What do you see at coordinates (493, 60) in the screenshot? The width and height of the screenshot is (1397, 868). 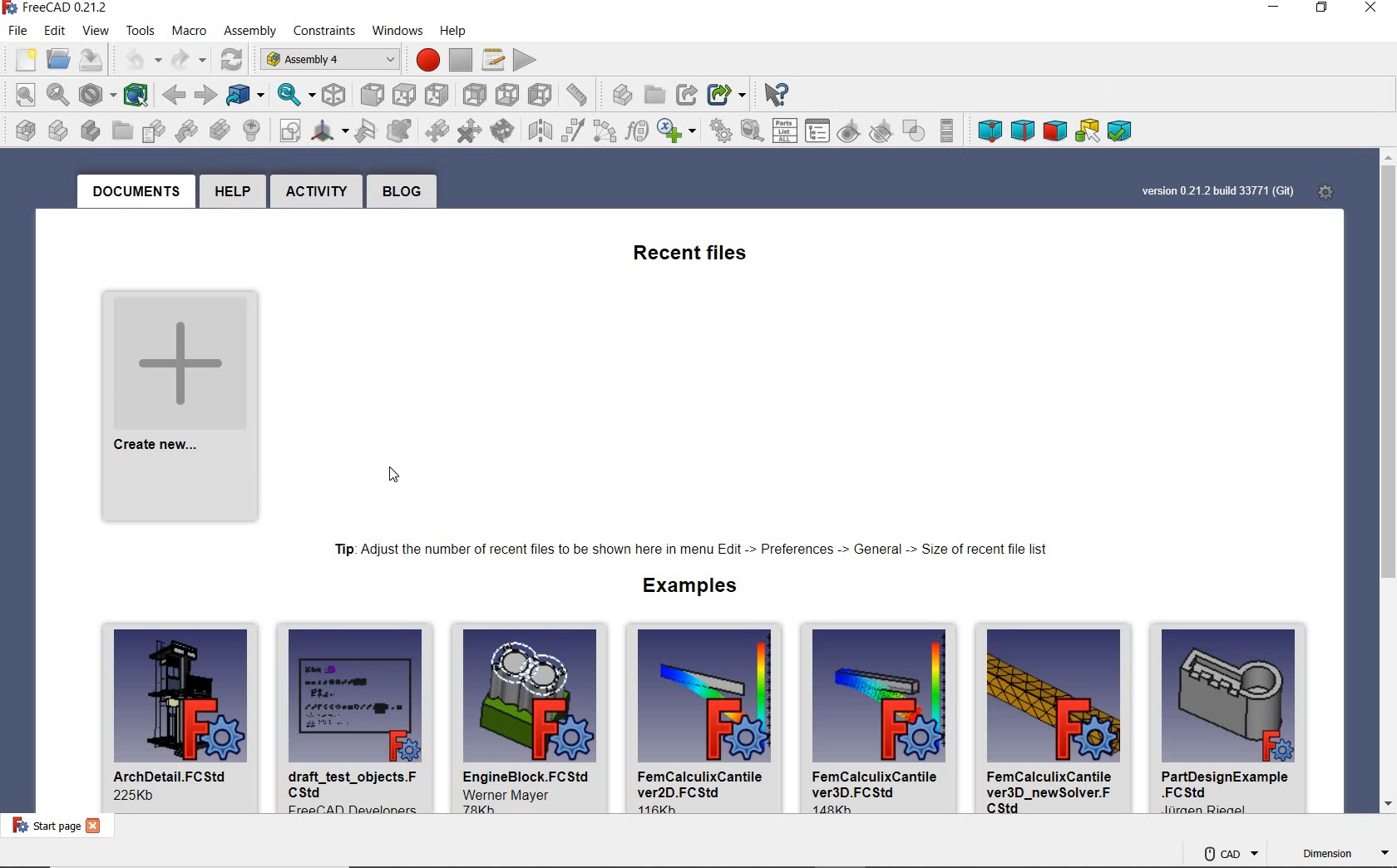 I see `macros` at bounding box center [493, 60].